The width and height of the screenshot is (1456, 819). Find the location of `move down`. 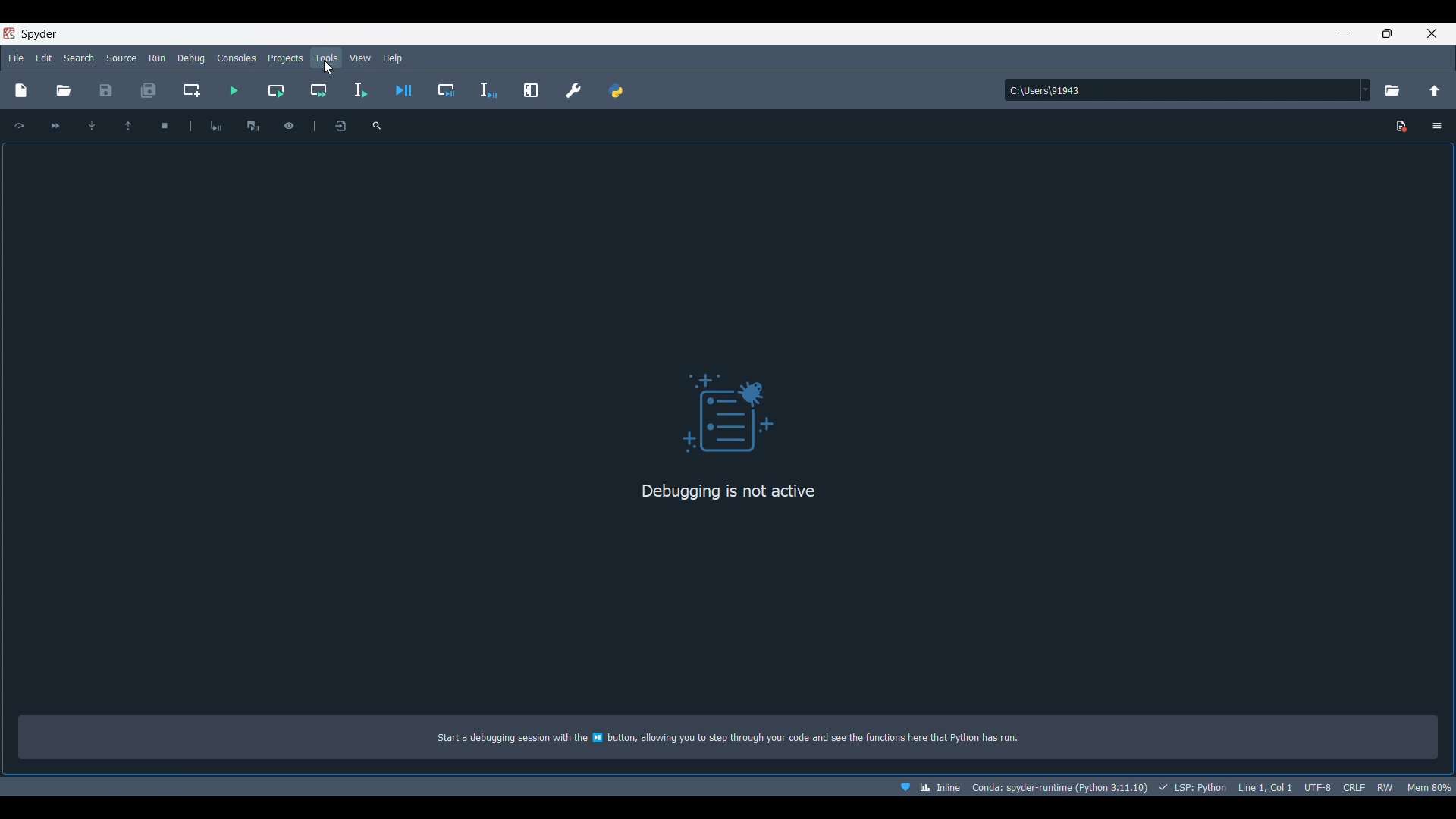

move down is located at coordinates (90, 125).